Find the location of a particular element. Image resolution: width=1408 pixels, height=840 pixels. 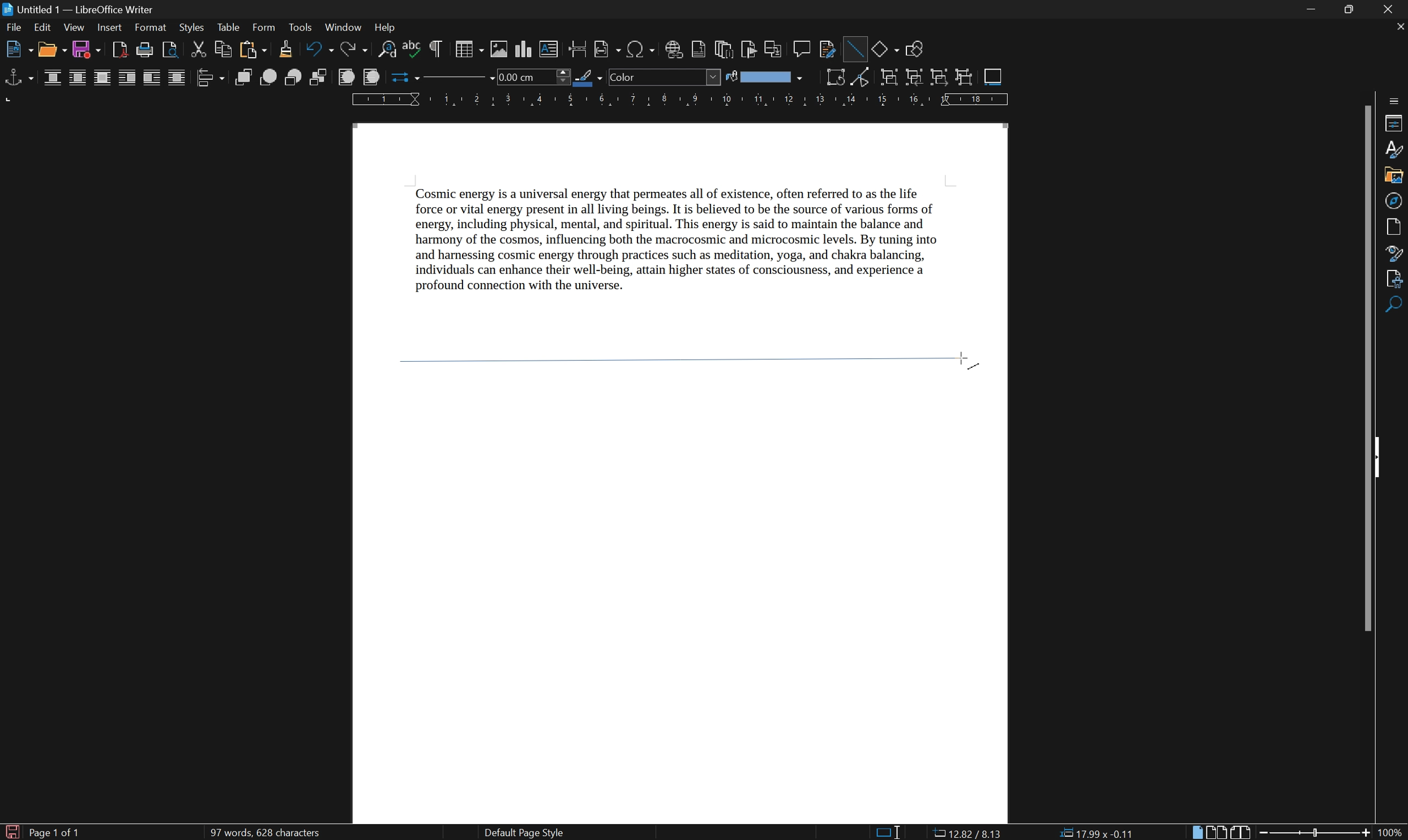

scroll bar is located at coordinates (1370, 366).